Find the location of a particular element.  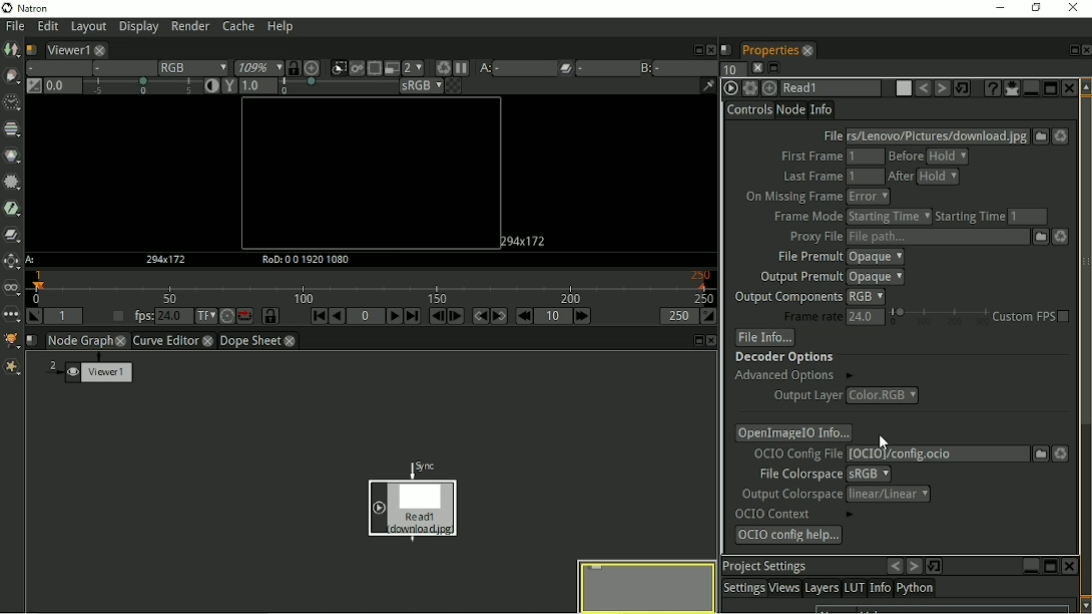

Playback out point is located at coordinates (680, 316).